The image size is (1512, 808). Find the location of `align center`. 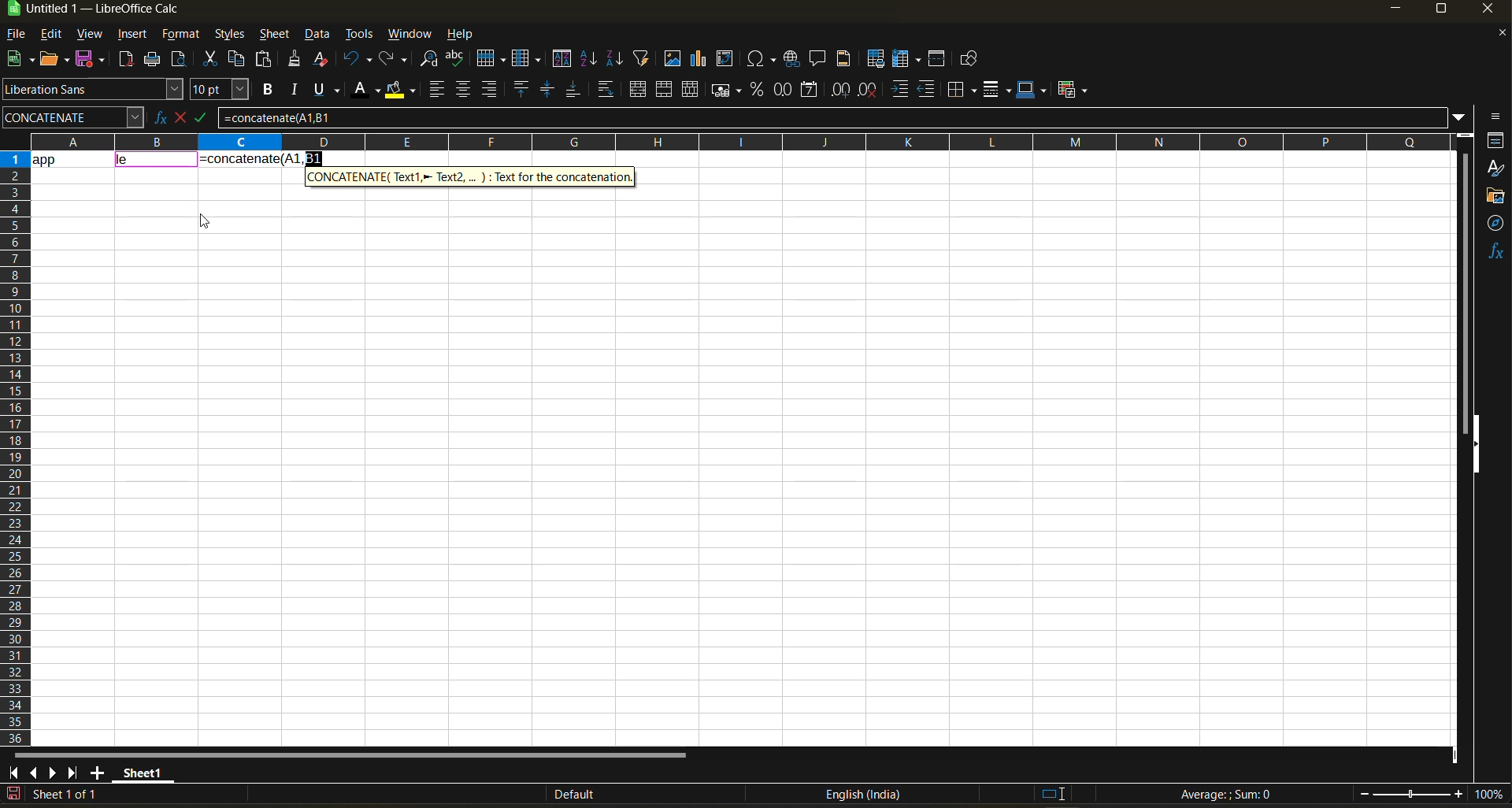

align center is located at coordinates (463, 89).